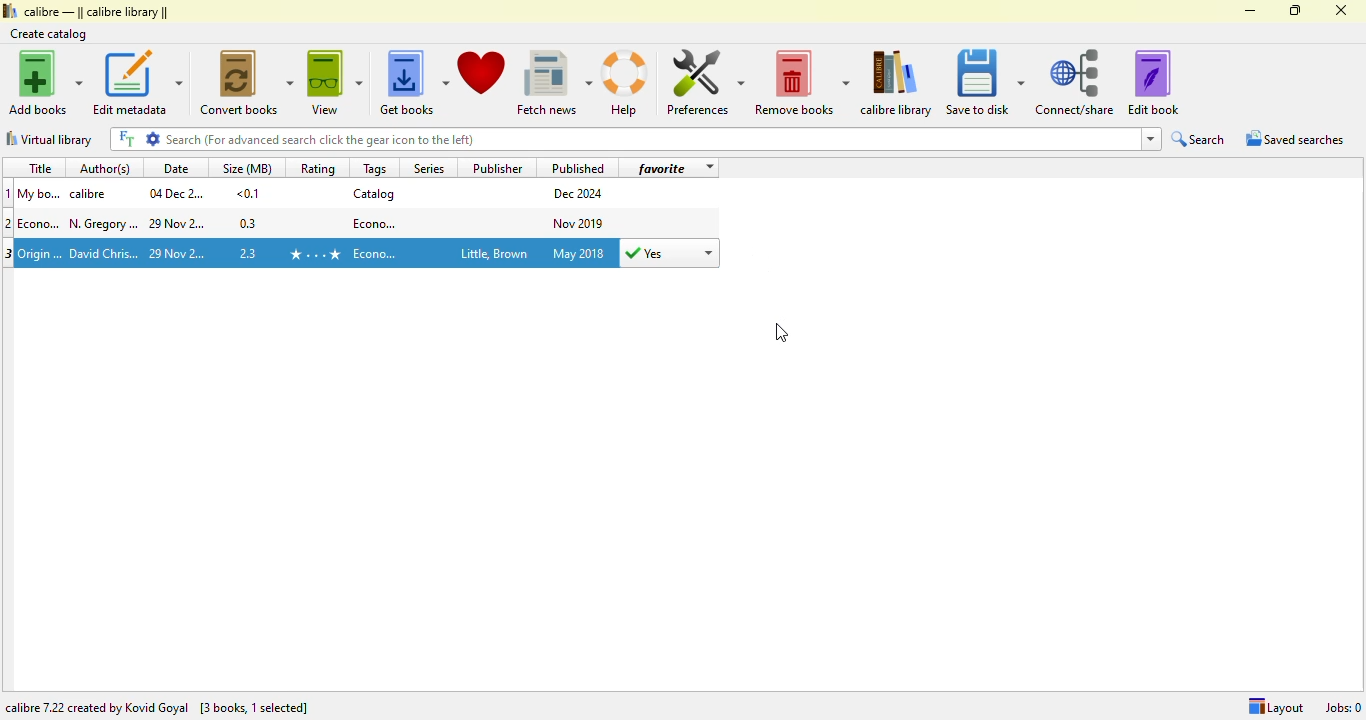 The height and width of the screenshot is (720, 1366). I want to click on maximize, so click(1296, 10).